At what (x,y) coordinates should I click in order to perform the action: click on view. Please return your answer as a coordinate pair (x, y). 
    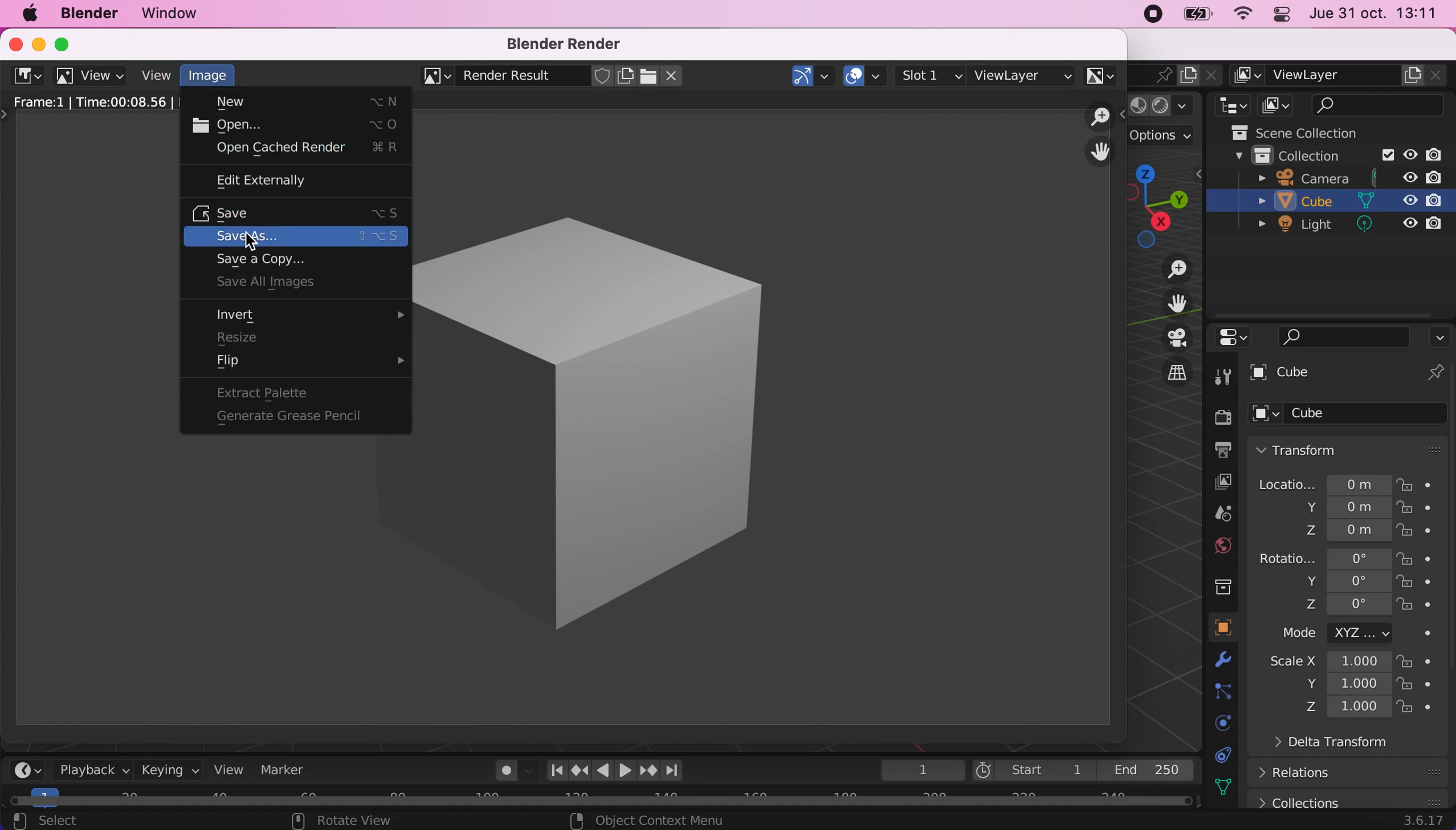
    Looking at the image, I should click on (92, 76).